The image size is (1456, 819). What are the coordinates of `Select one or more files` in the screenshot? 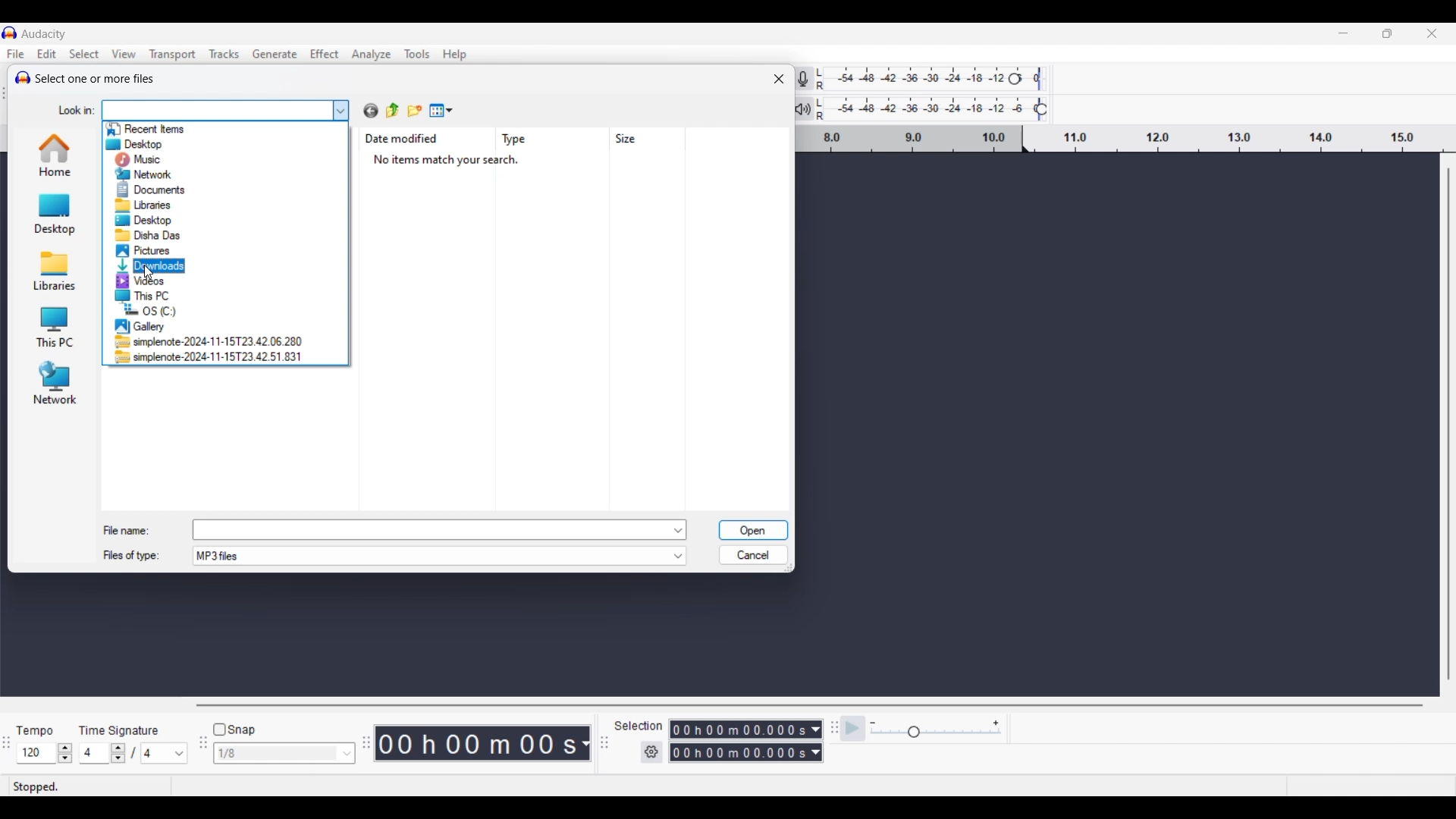 It's located at (98, 80).